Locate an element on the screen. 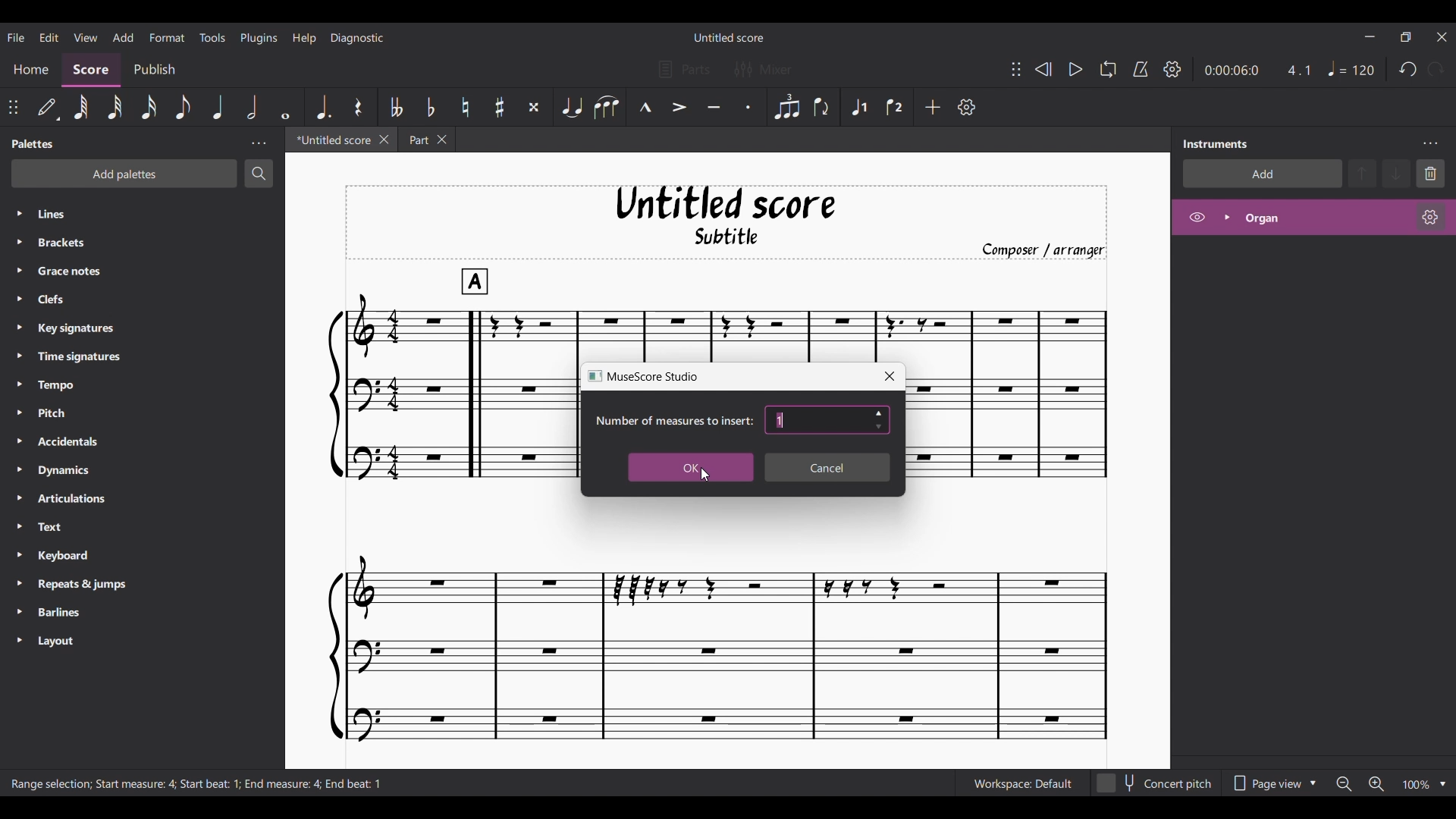  Search is located at coordinates (259, 174).